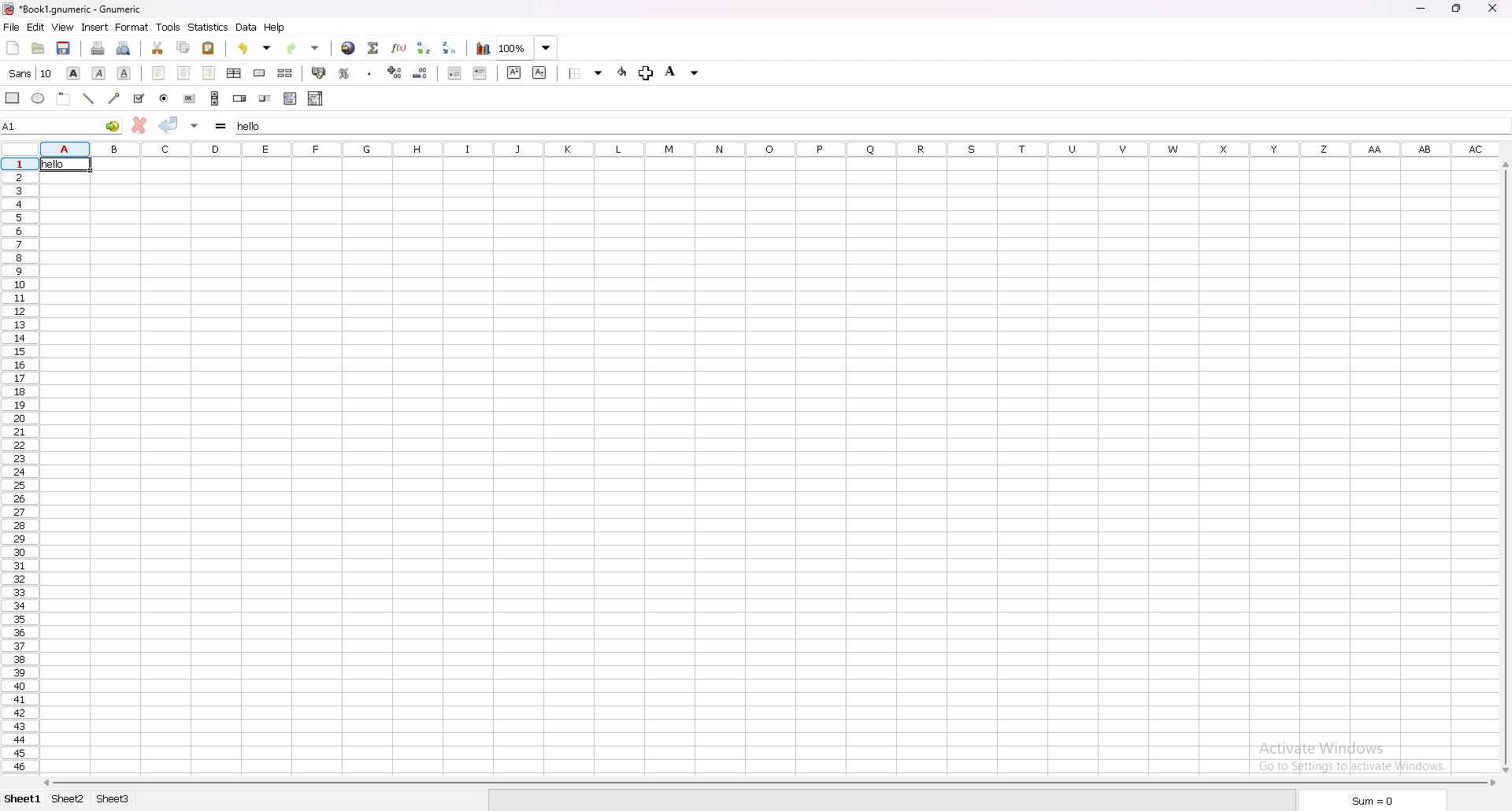  I want to click on Sum=0, so click(1373, 801).